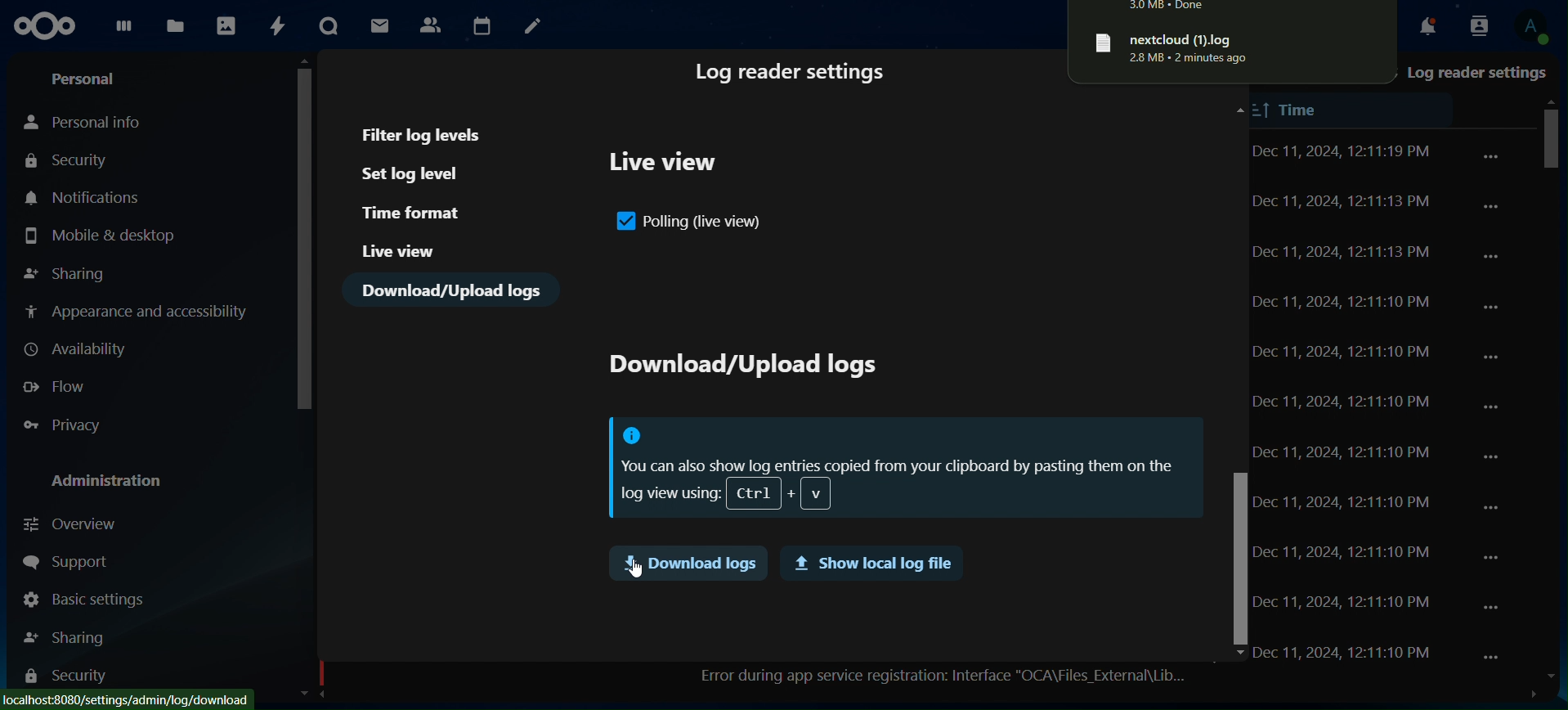  I want to click on set log level, so click(424, 174).